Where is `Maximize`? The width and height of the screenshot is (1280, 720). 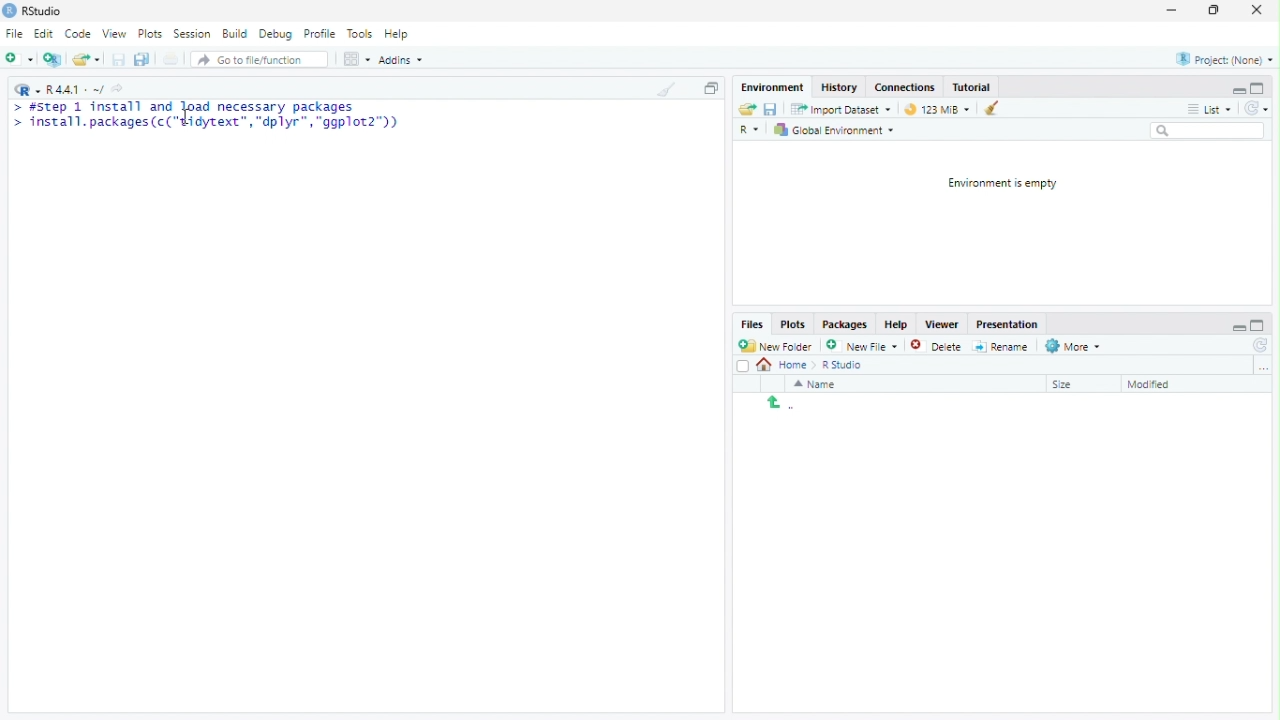
Maximize is located at coordinates (1257, 88).